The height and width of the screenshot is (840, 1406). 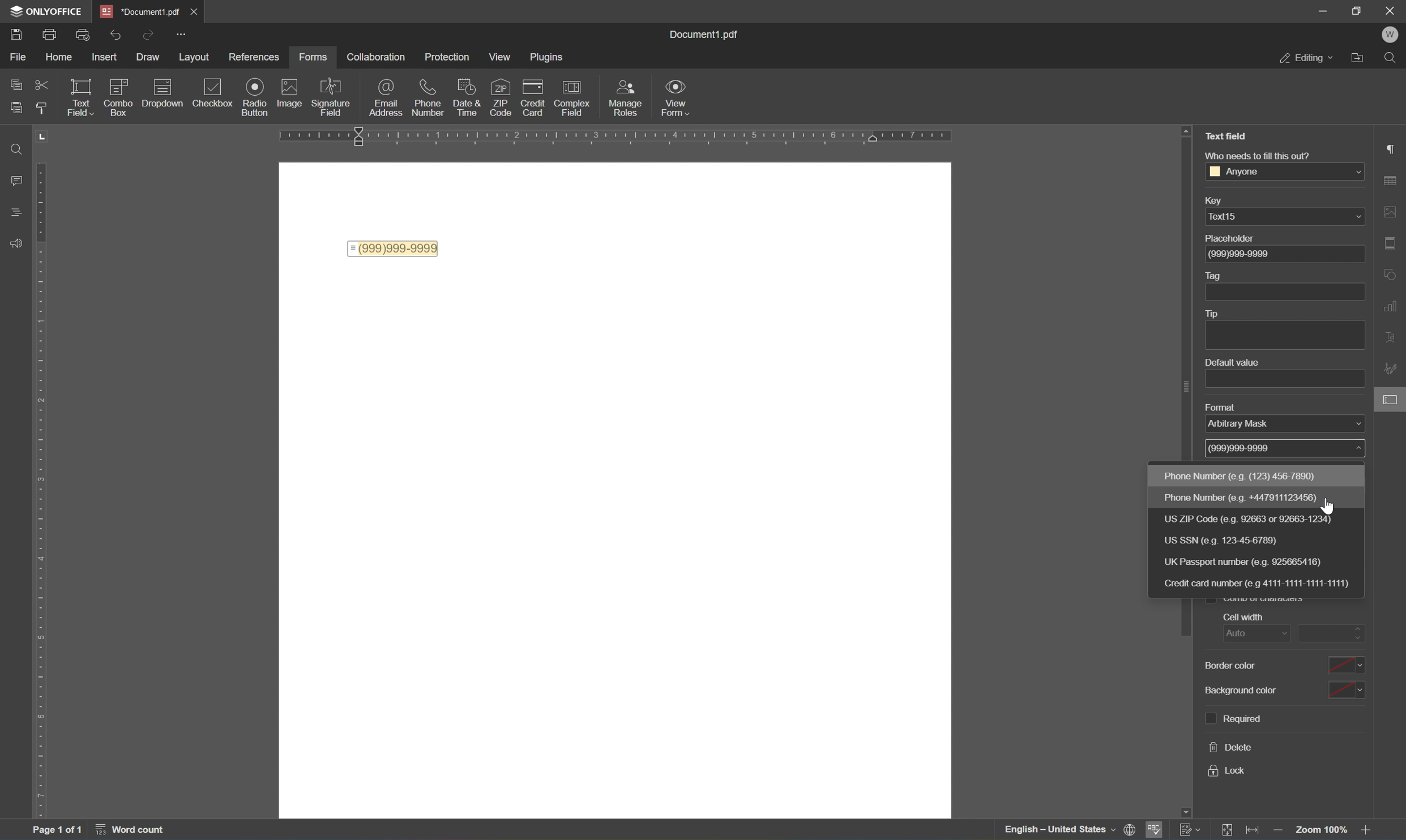 What do you see at coordinates (17, 109) in the screenshot?
I see `paste` at bounding box center [17, 109].